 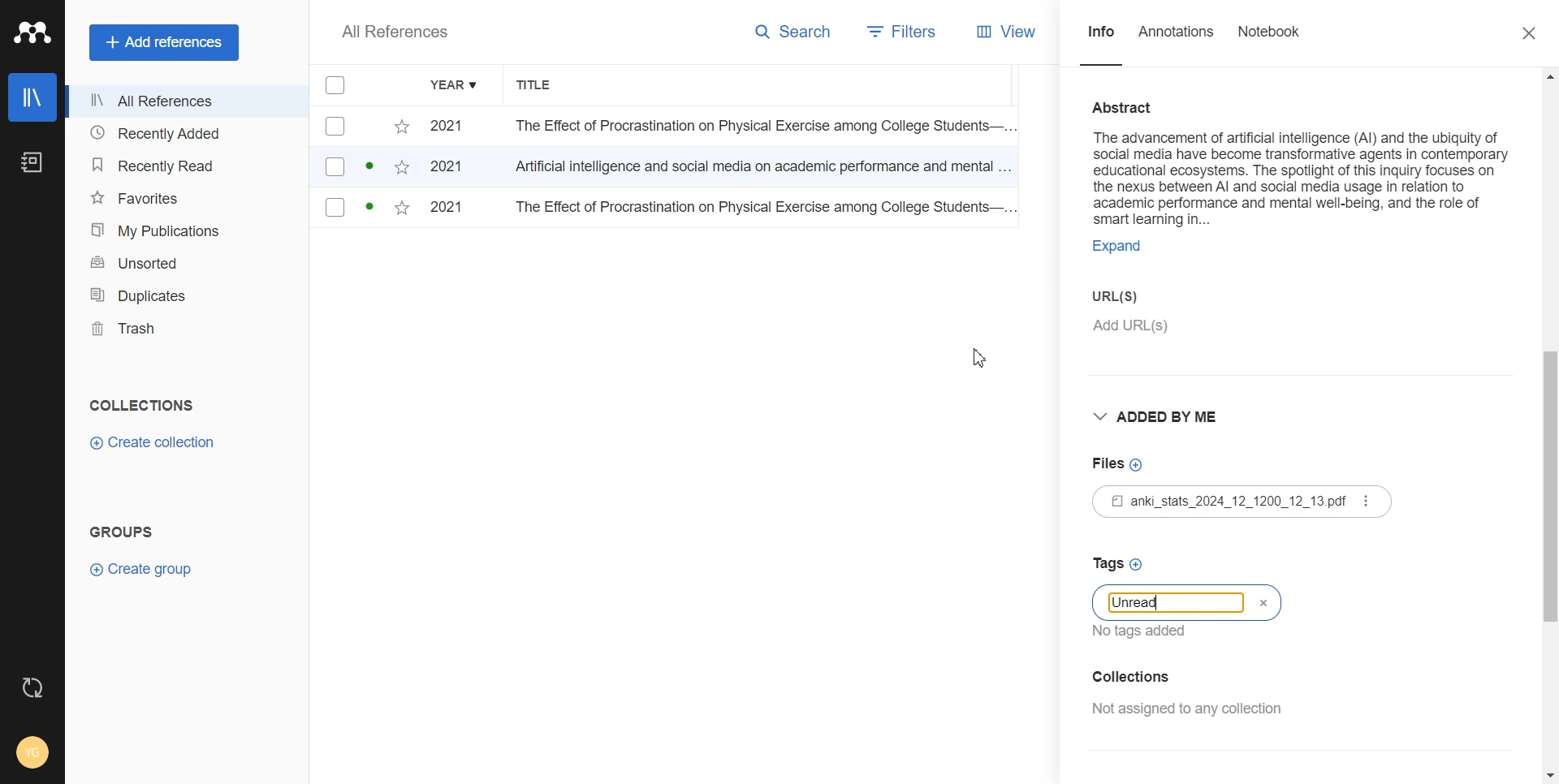 What do you see at coordinates (1187, 676) in the screenshot?
I see `Add collection` at bounding box center [1187, 676].